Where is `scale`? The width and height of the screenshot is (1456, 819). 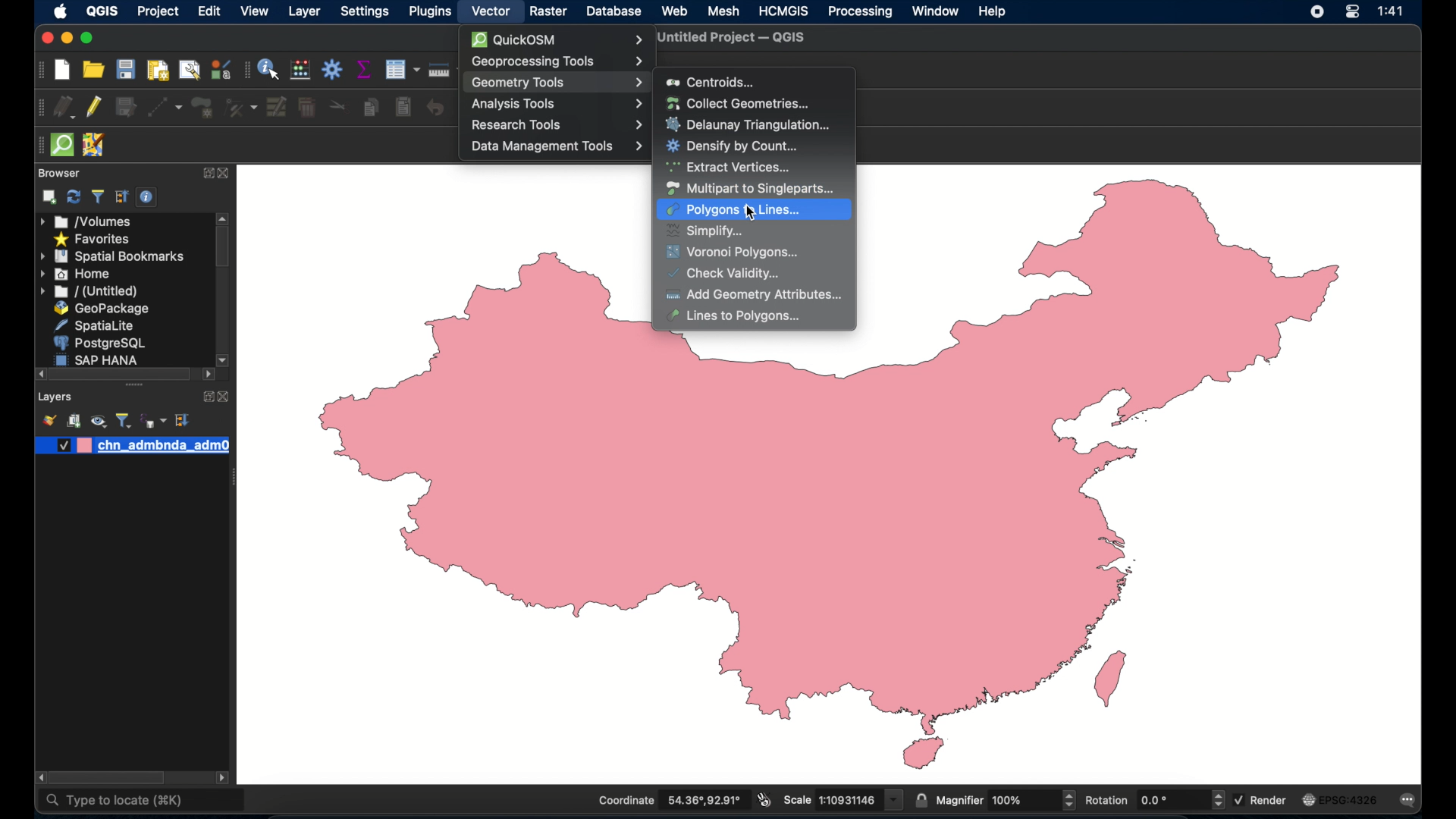
scale is located at coordinates (842, 799).